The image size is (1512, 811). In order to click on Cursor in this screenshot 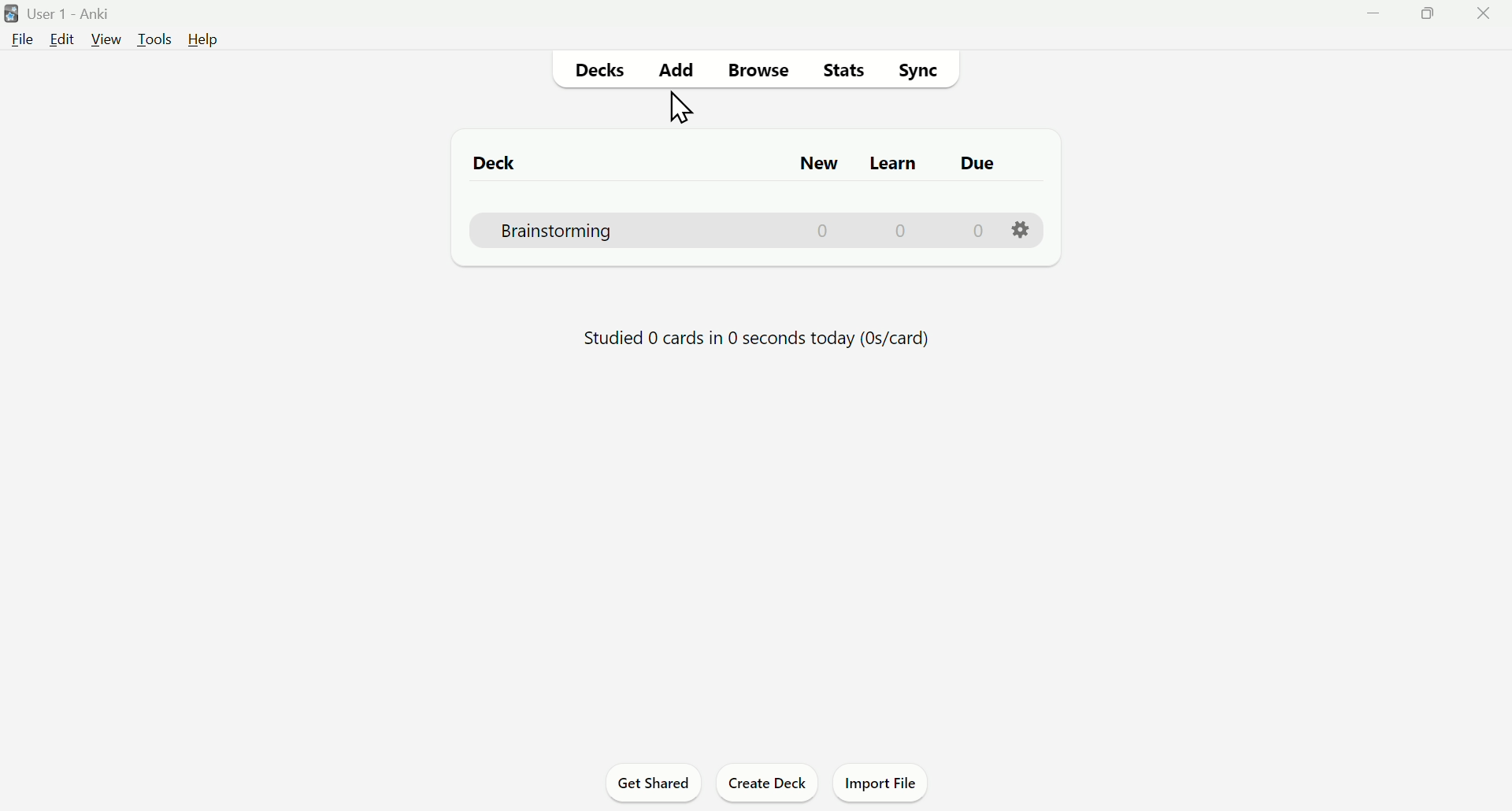, I will do `click(681, 106)`.